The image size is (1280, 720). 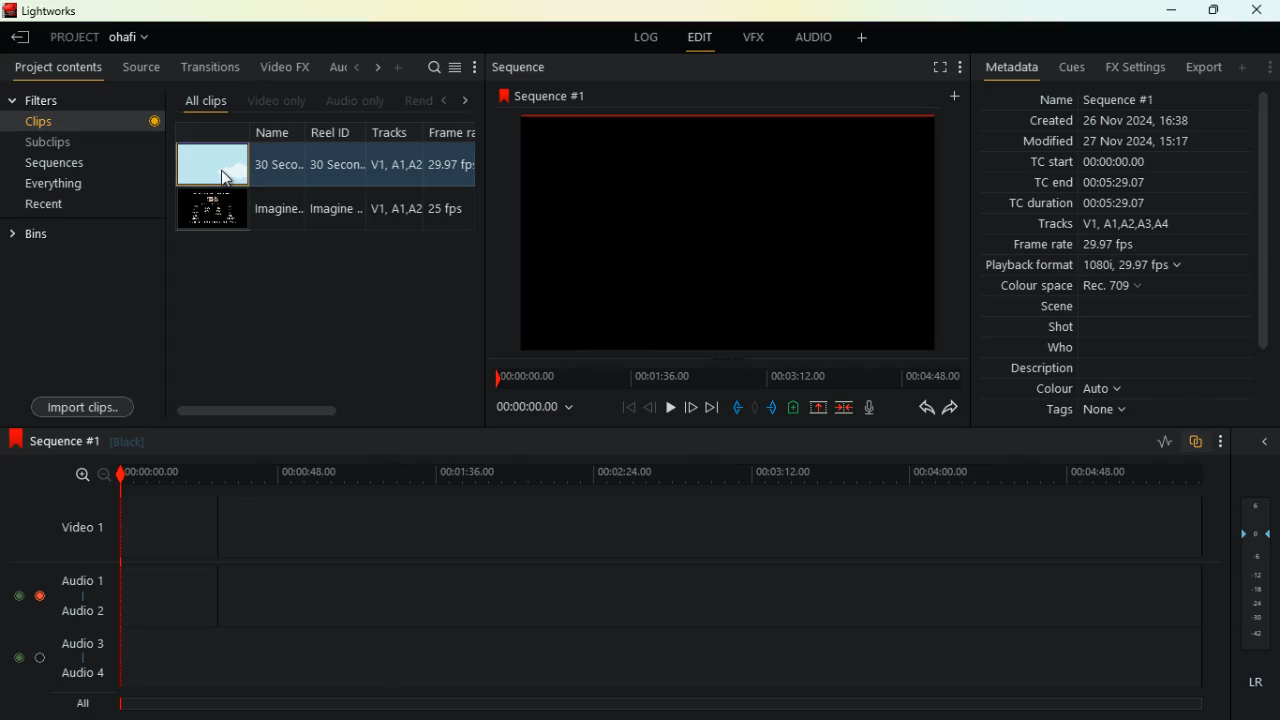 What do you see at coordinates (920, 407) in the screenshot?
I see `back` at bounding box center [920, 407].